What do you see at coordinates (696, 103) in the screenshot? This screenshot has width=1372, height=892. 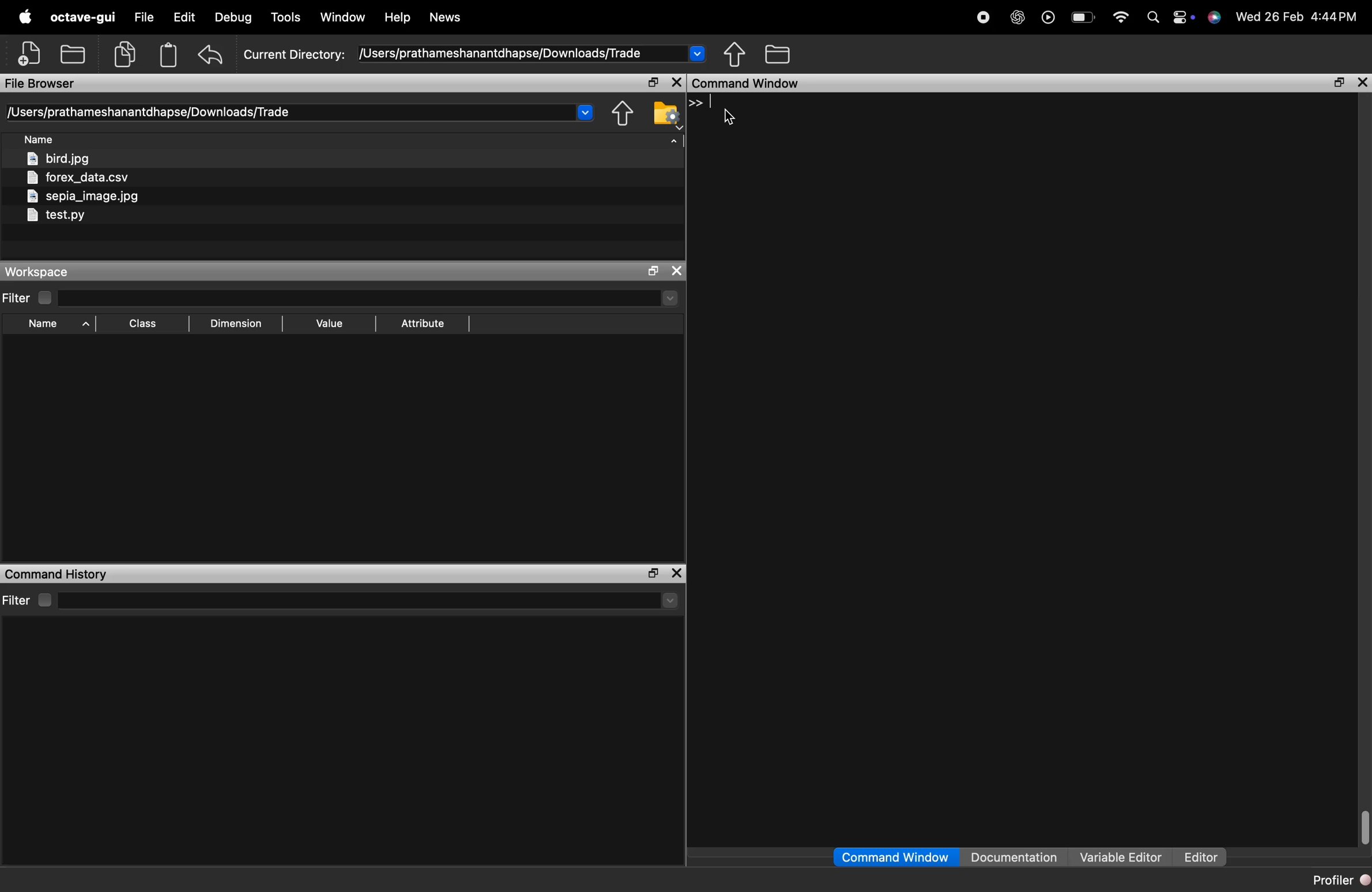 I see `>>` at bounding box center [696, 103].